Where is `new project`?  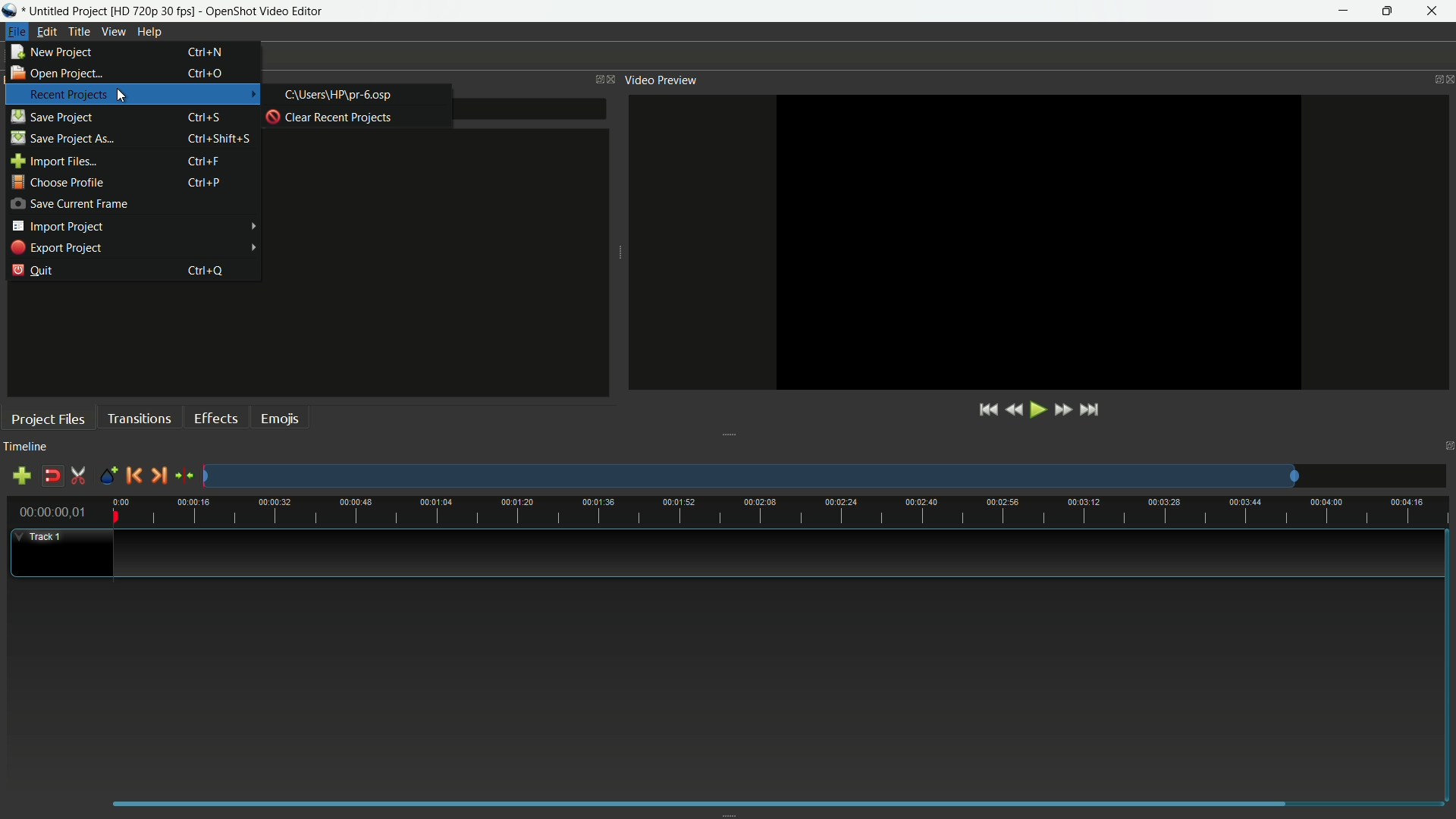 new project is located at coordinates (53, 52).